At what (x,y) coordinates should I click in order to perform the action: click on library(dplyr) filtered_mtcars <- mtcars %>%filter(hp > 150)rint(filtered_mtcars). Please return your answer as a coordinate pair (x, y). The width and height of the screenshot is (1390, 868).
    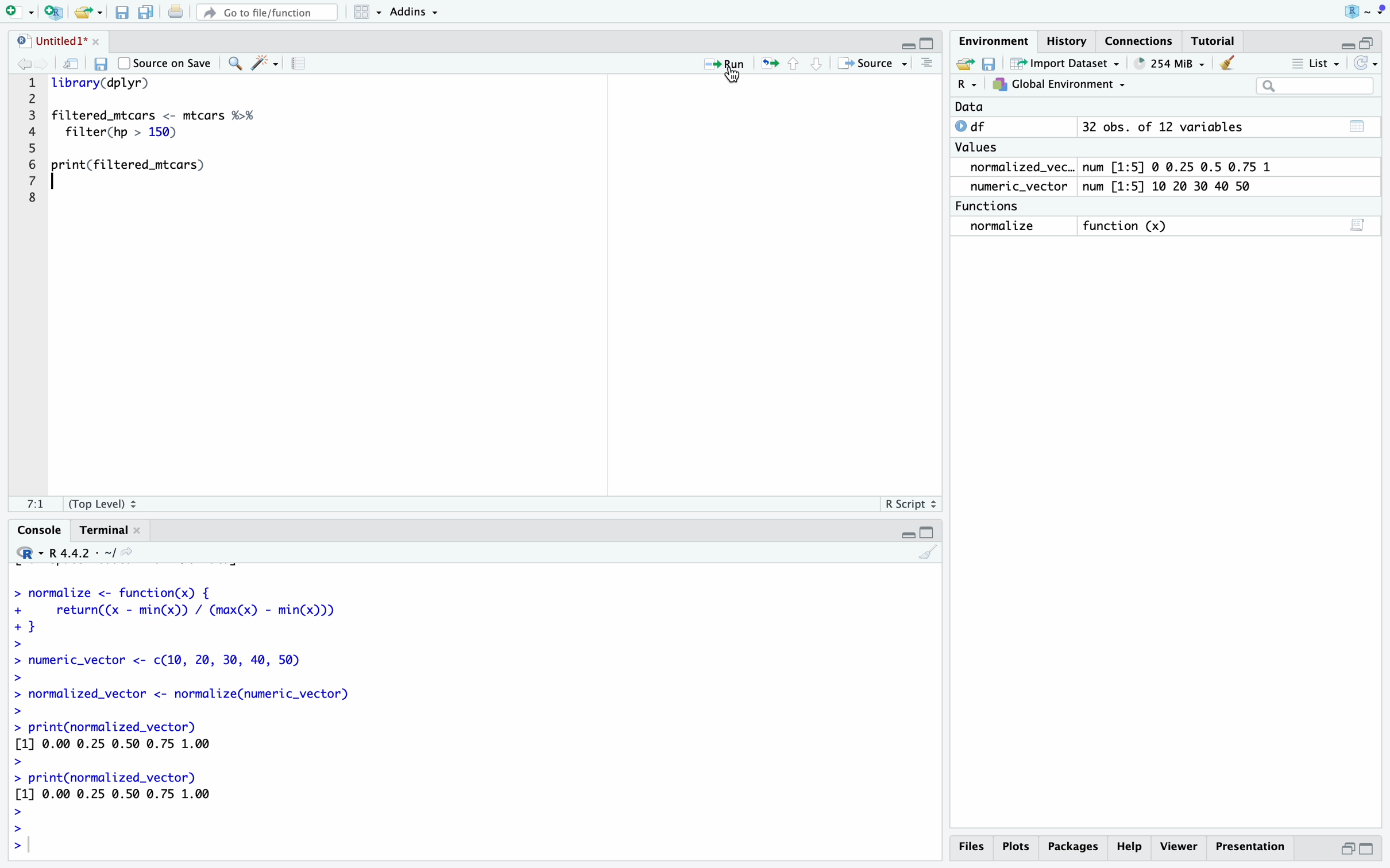
    Looking at the image, I should click on (159, 130).